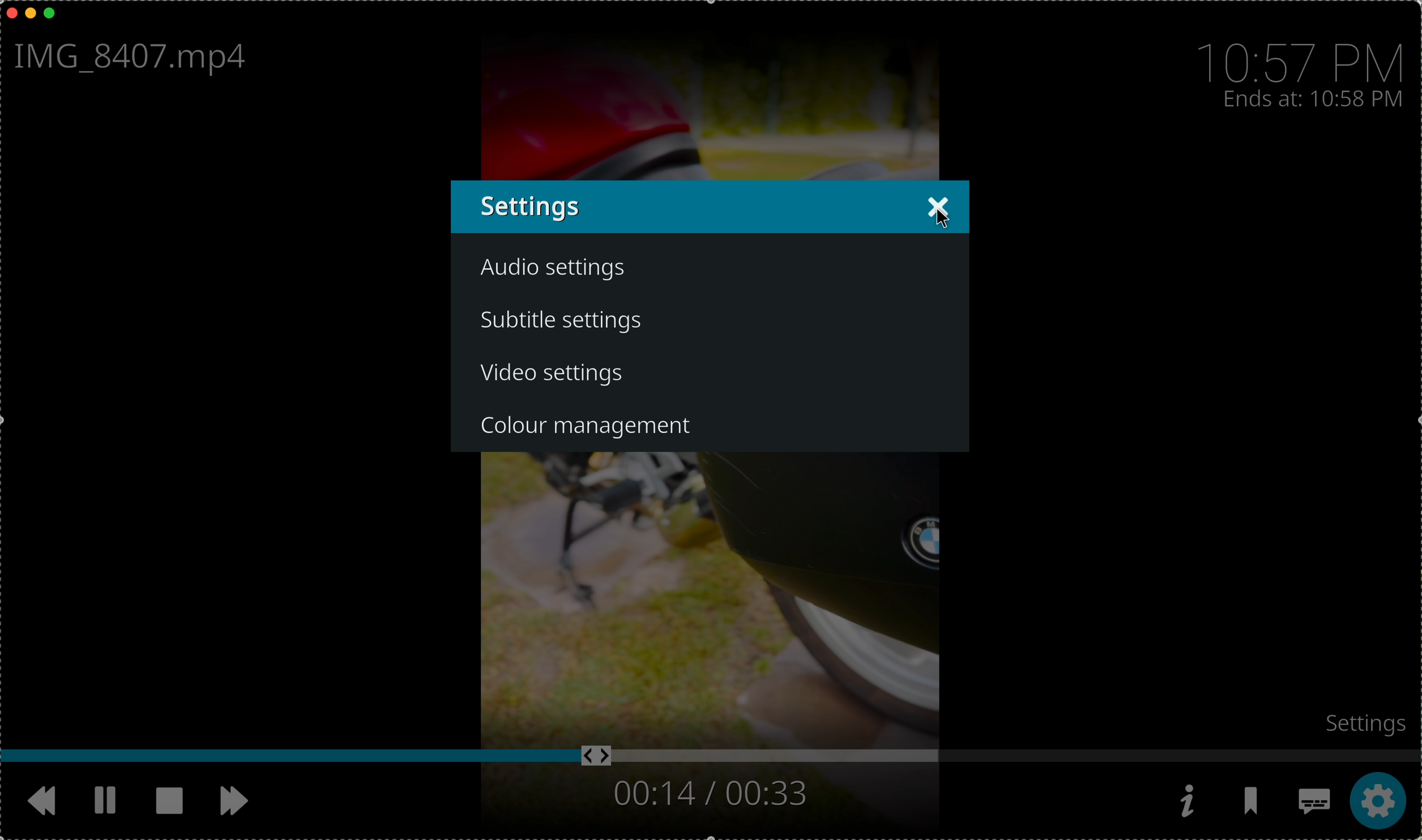 The height and width of the screenshot is (840, 1422). I want to click on subtitle settings, so click(566, 323).